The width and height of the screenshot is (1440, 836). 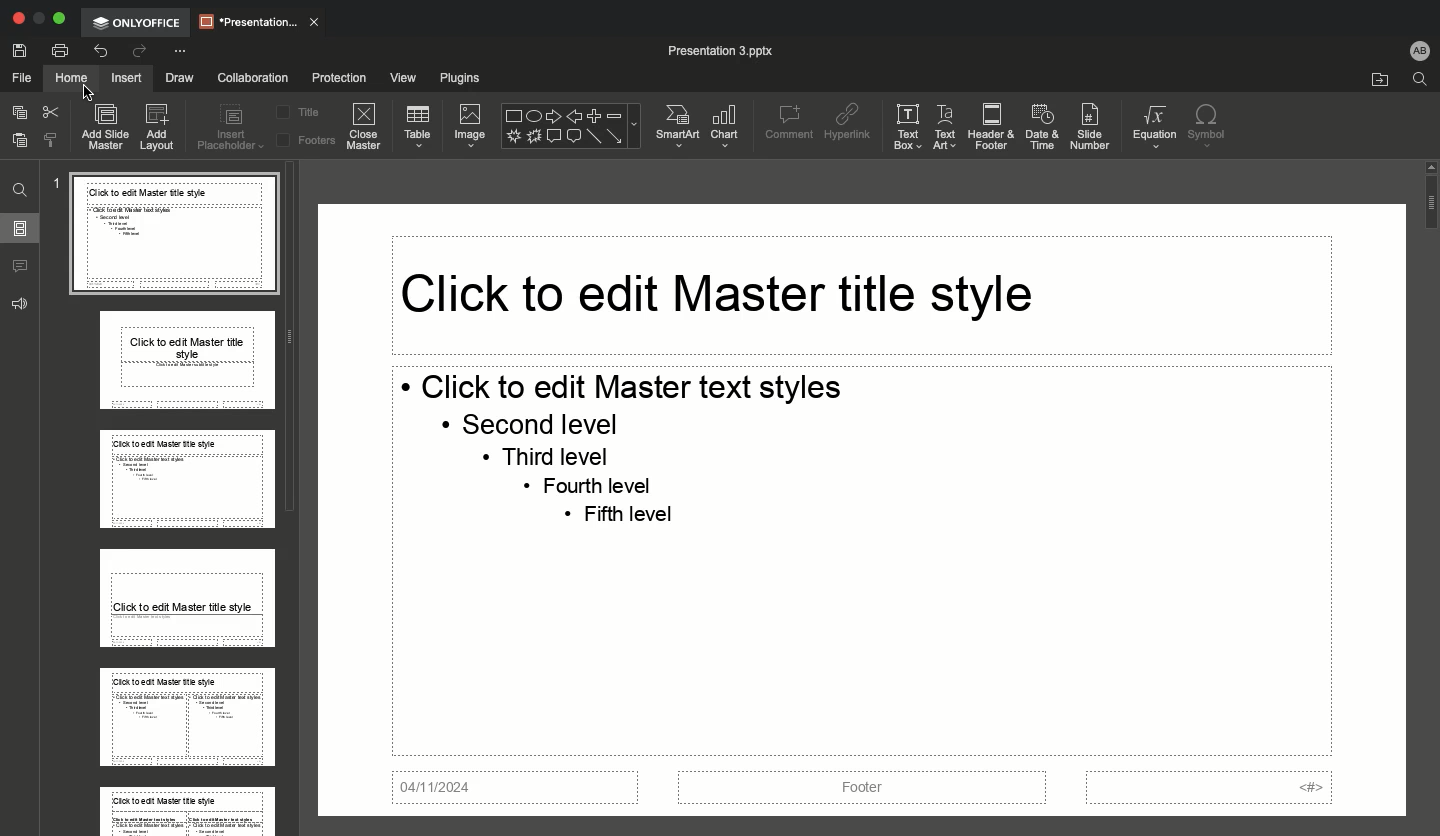 I want to click on Presentation 3 pptx., so click(x=735, y=50).